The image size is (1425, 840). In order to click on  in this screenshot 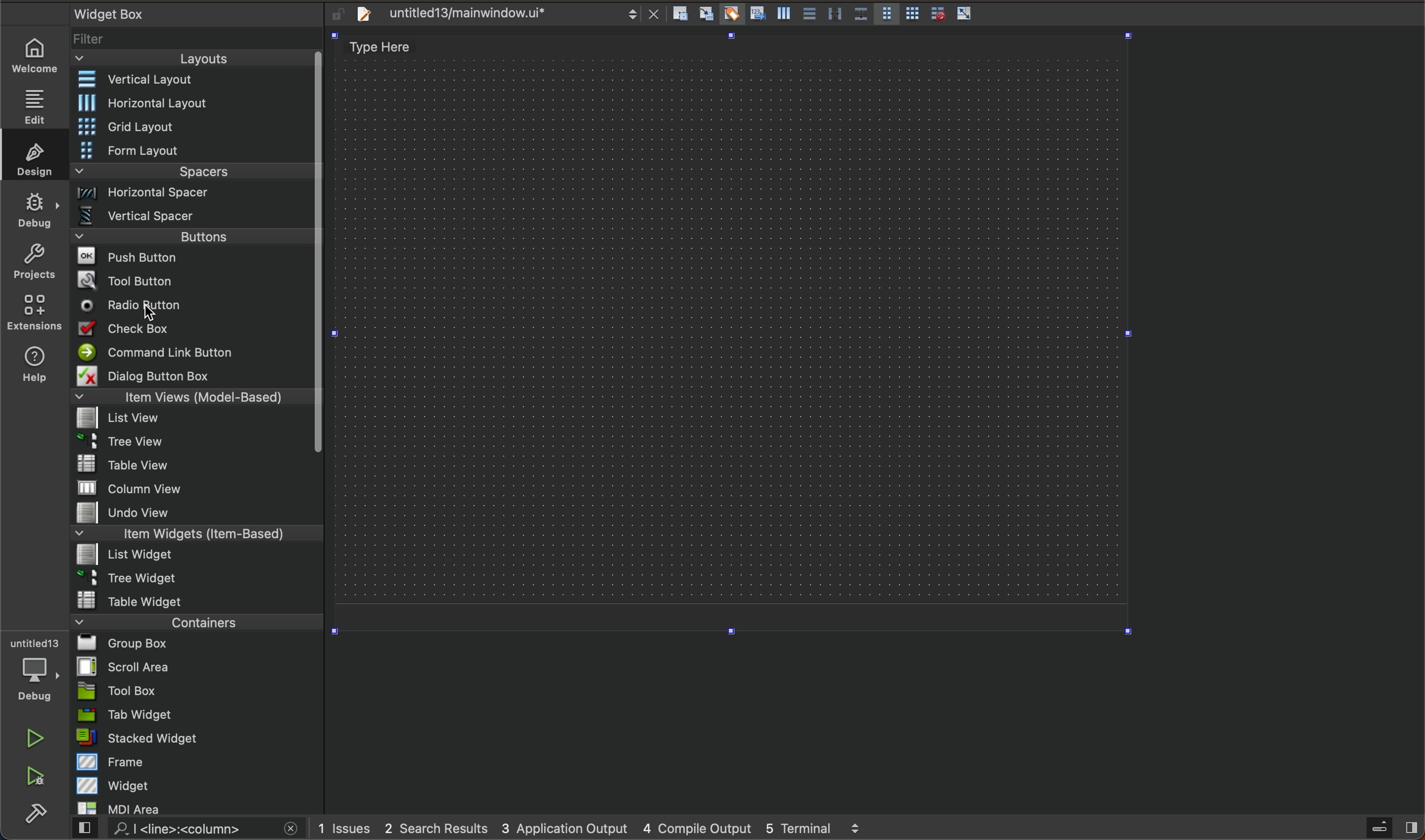, I will do `click(913, 15)`.